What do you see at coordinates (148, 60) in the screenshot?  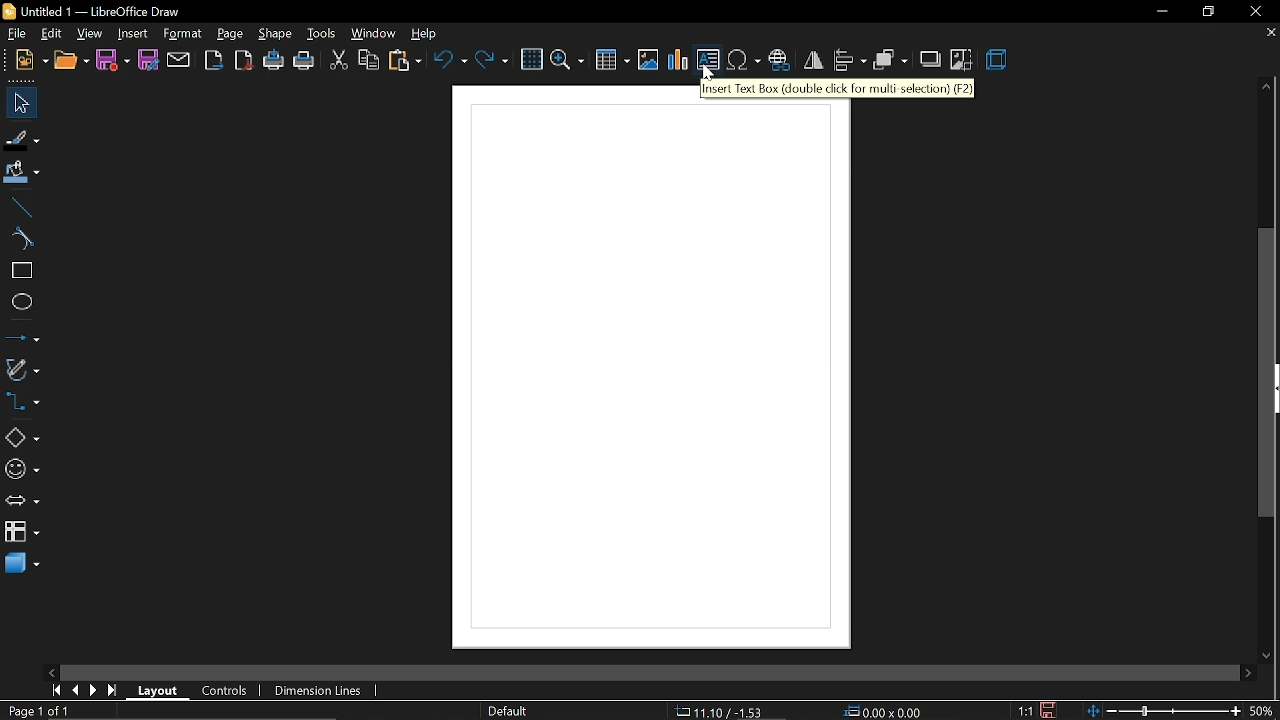 I see `save as` at bounding box center [148, 60].